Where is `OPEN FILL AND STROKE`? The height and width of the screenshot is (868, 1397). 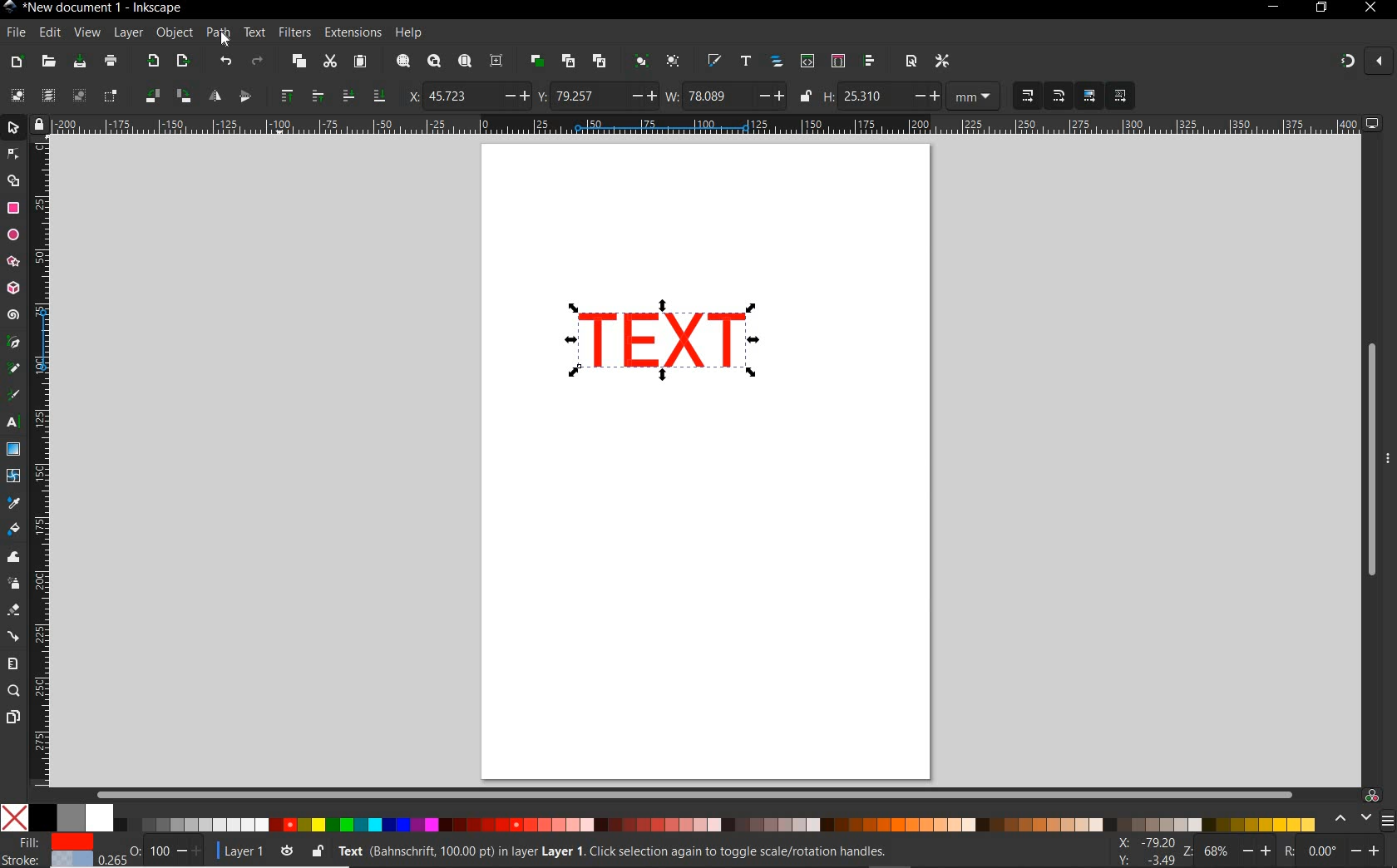
OPEN FILL AND STROKE is located at coordinates (713, 62).